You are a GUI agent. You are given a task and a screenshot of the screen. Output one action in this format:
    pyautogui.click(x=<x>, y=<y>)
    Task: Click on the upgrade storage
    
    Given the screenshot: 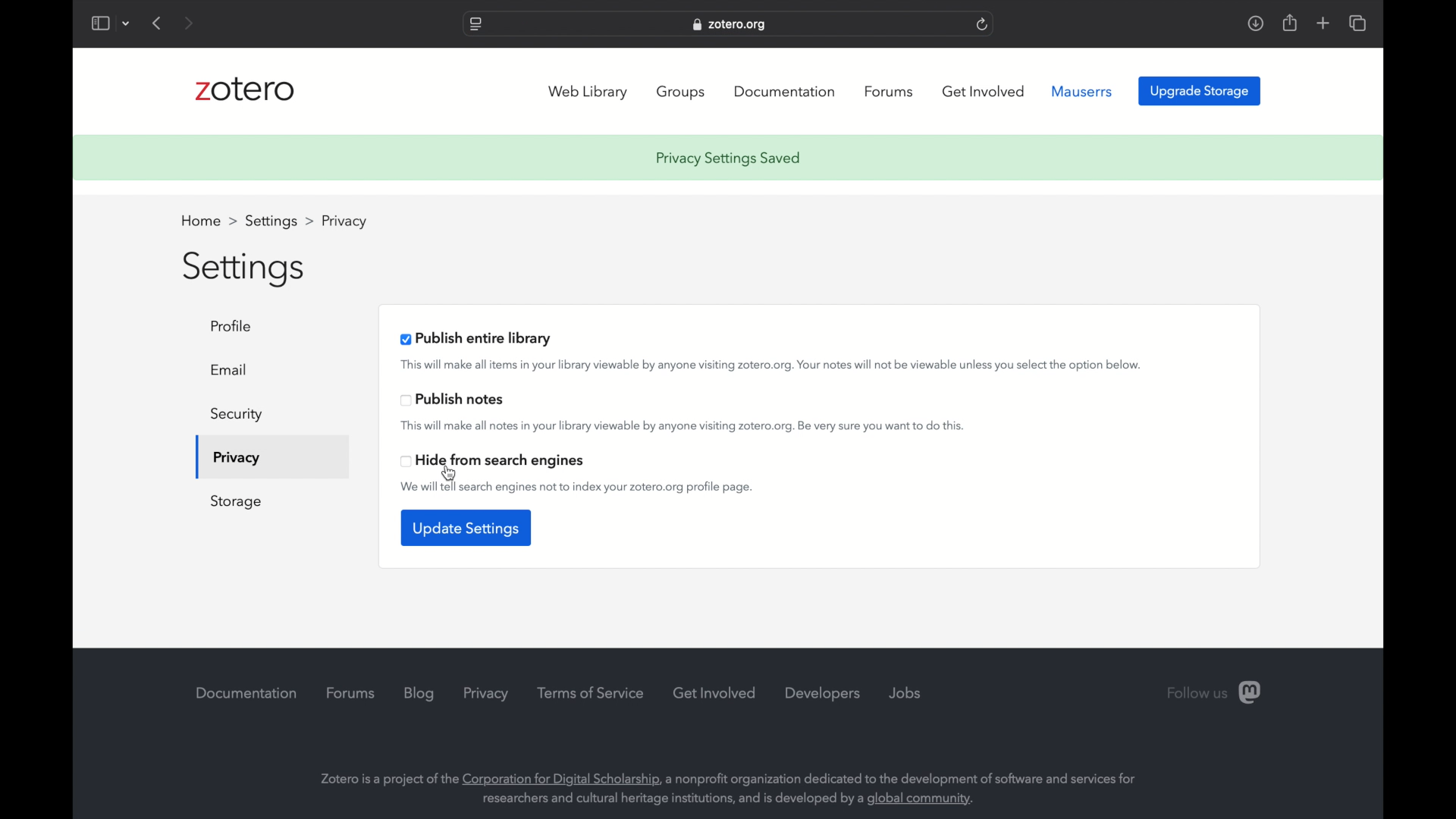 What is the action you would take?
    pyautogui.click(x=1200, y=91)
    